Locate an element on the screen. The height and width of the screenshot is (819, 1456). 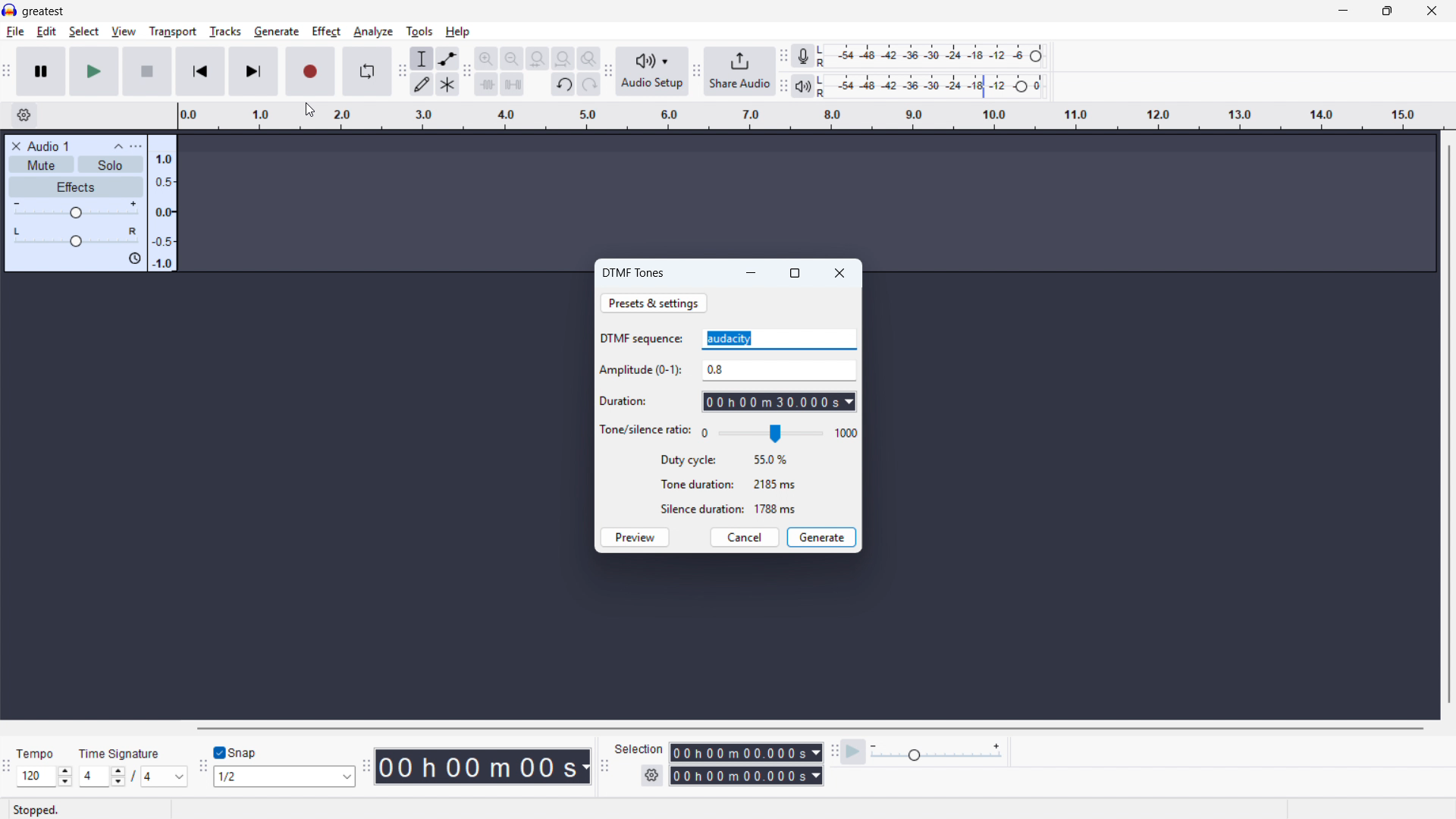
Time signature toolbar  is located at coordinates (6, 769).